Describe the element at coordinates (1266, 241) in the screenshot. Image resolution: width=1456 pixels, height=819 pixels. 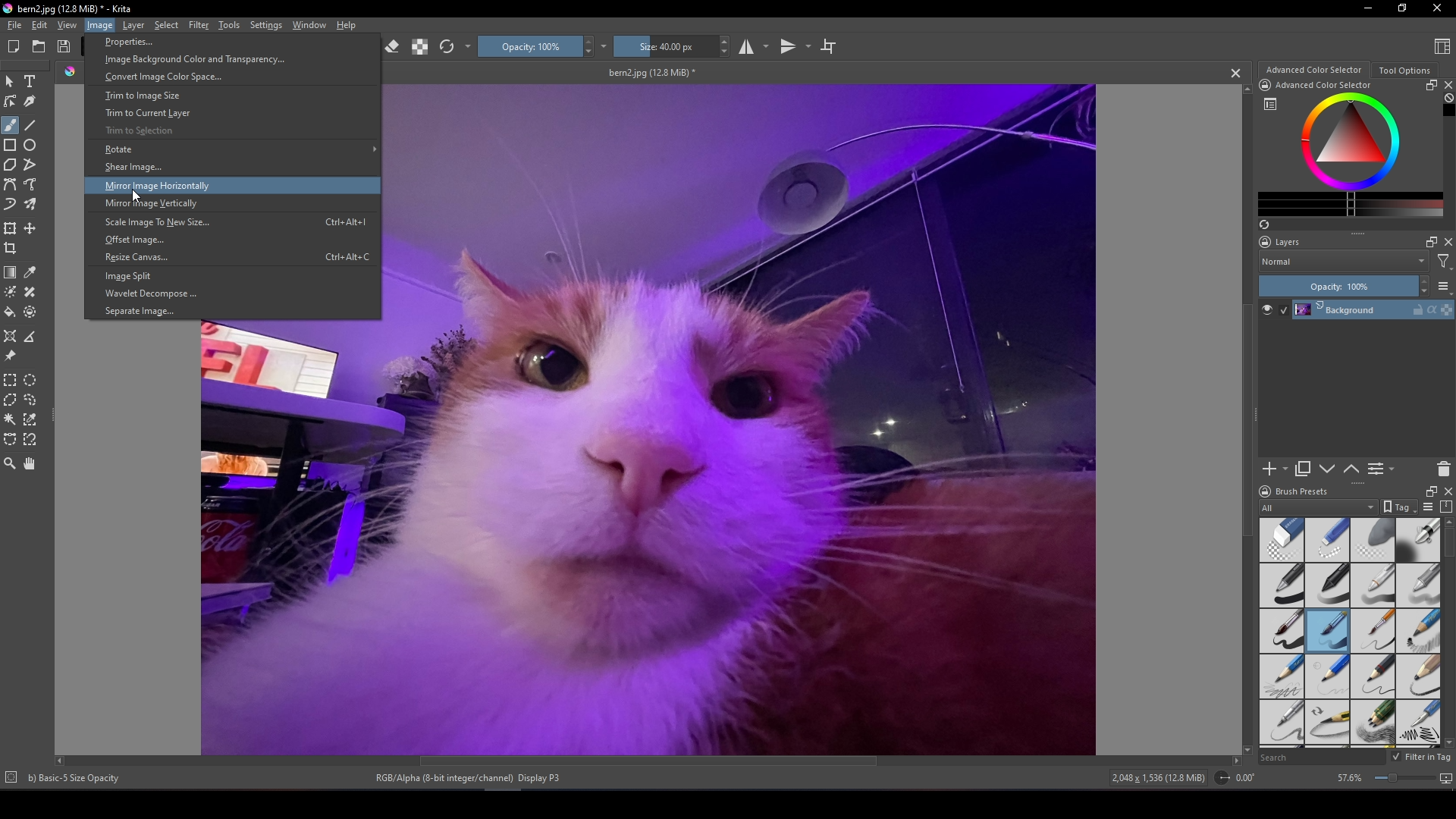
I see `Docket lock` at that location.